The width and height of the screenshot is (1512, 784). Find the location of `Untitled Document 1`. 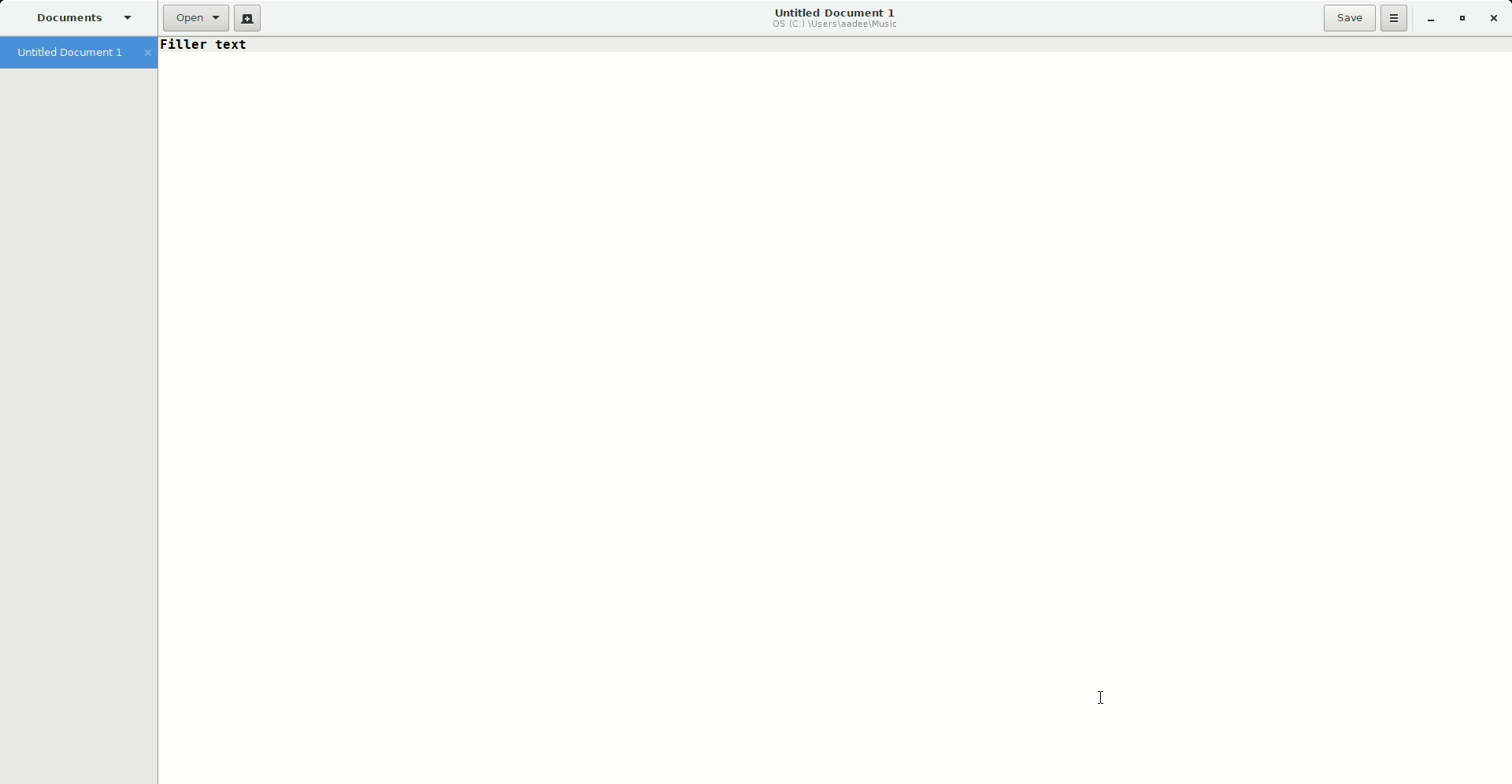

Untitled Document 1 is located at coordinates (82, 54).